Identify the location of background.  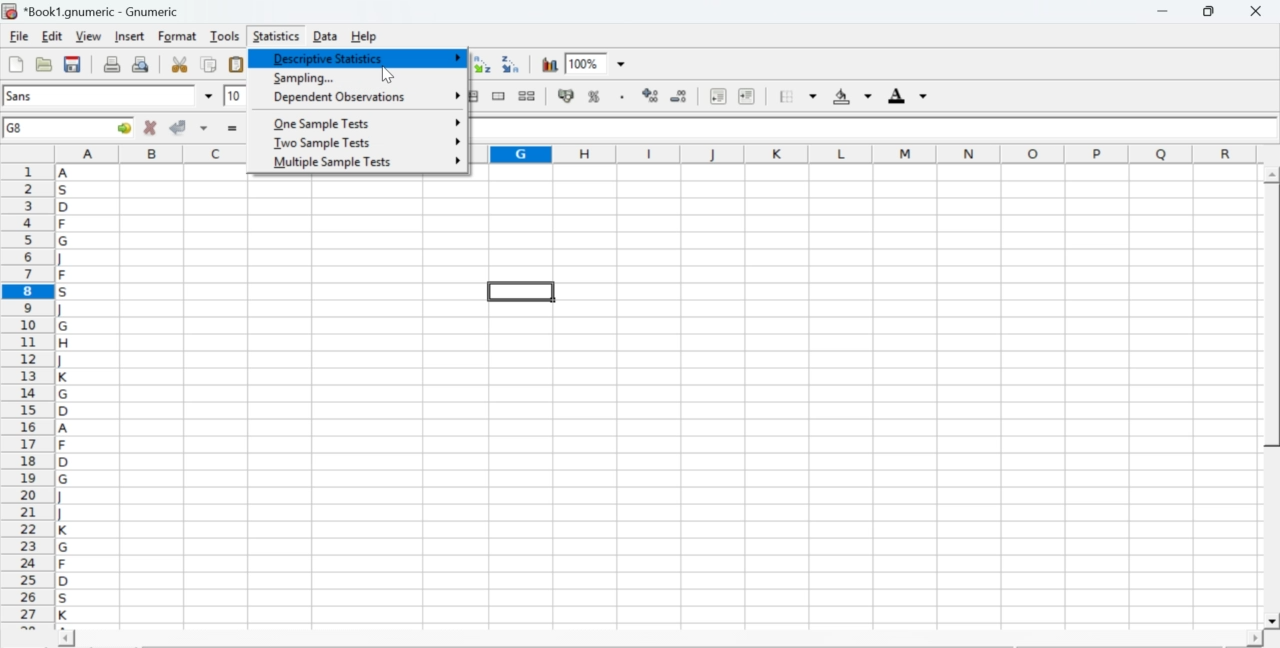
(854, 96).